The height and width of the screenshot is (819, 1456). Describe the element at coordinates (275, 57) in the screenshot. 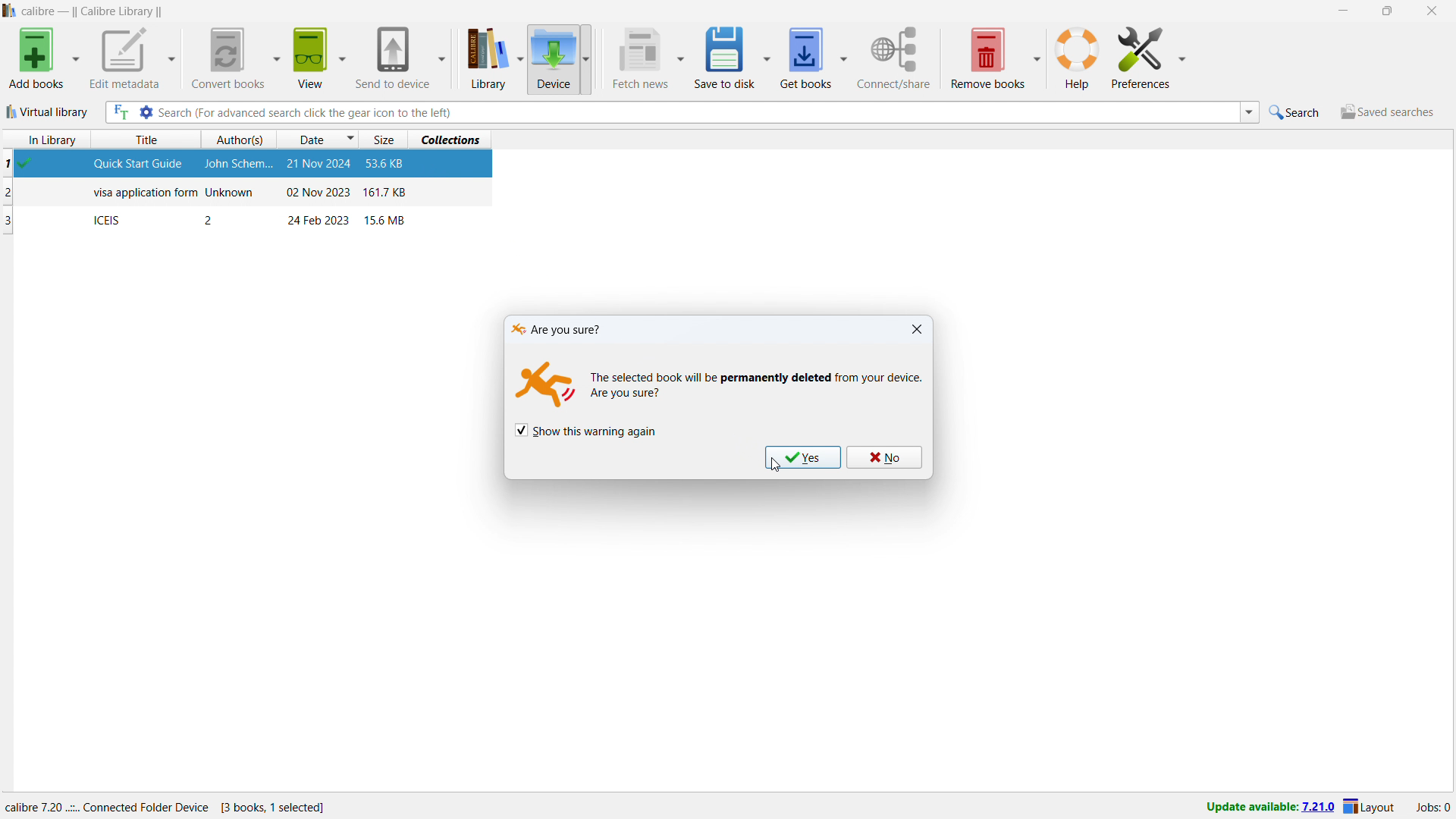

I see `convert books options` at that location.